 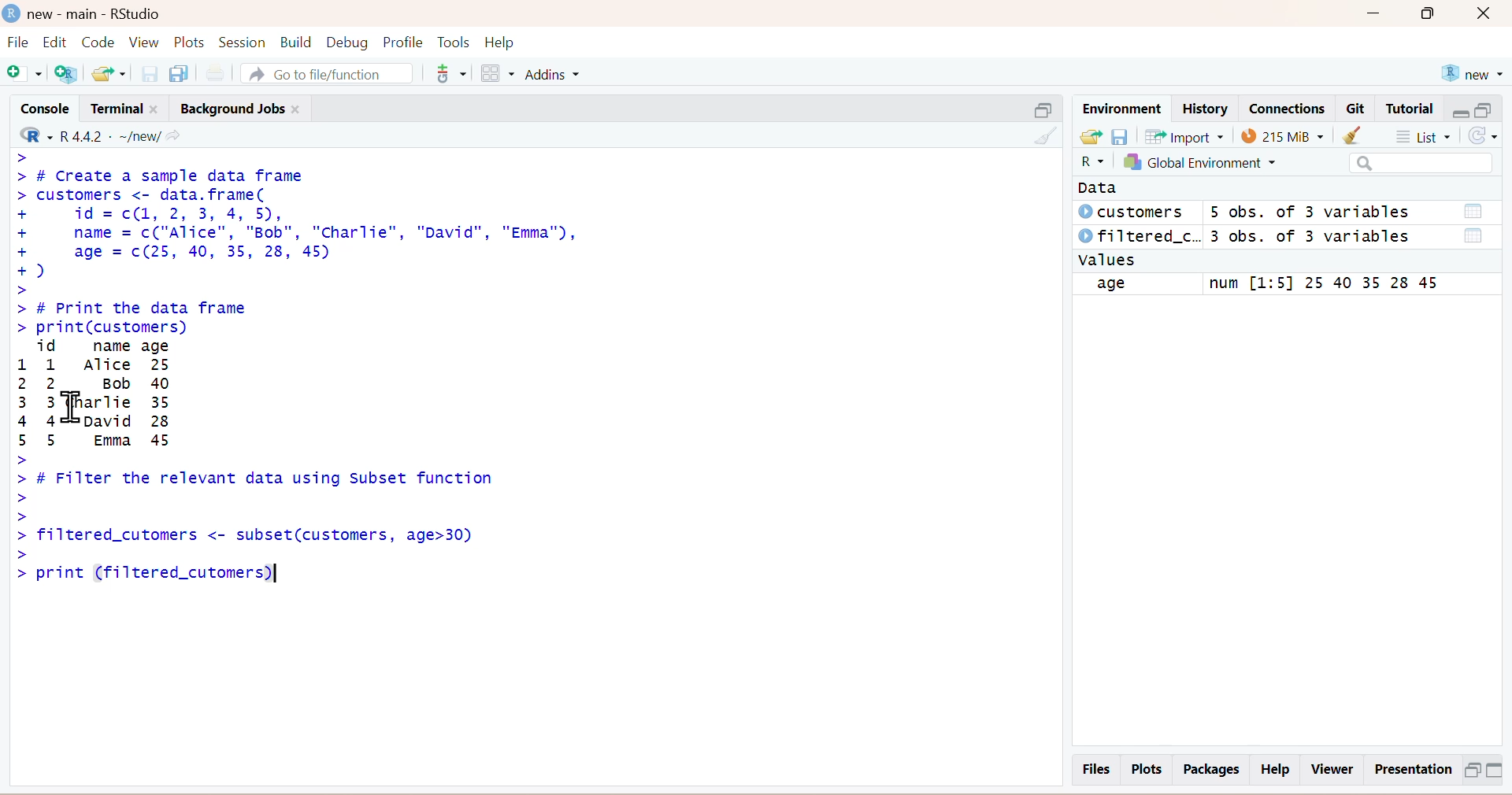 What do you see at coordinates (242, 40) in the screenshot?
I see `Session` at bounding box center [242, 40].